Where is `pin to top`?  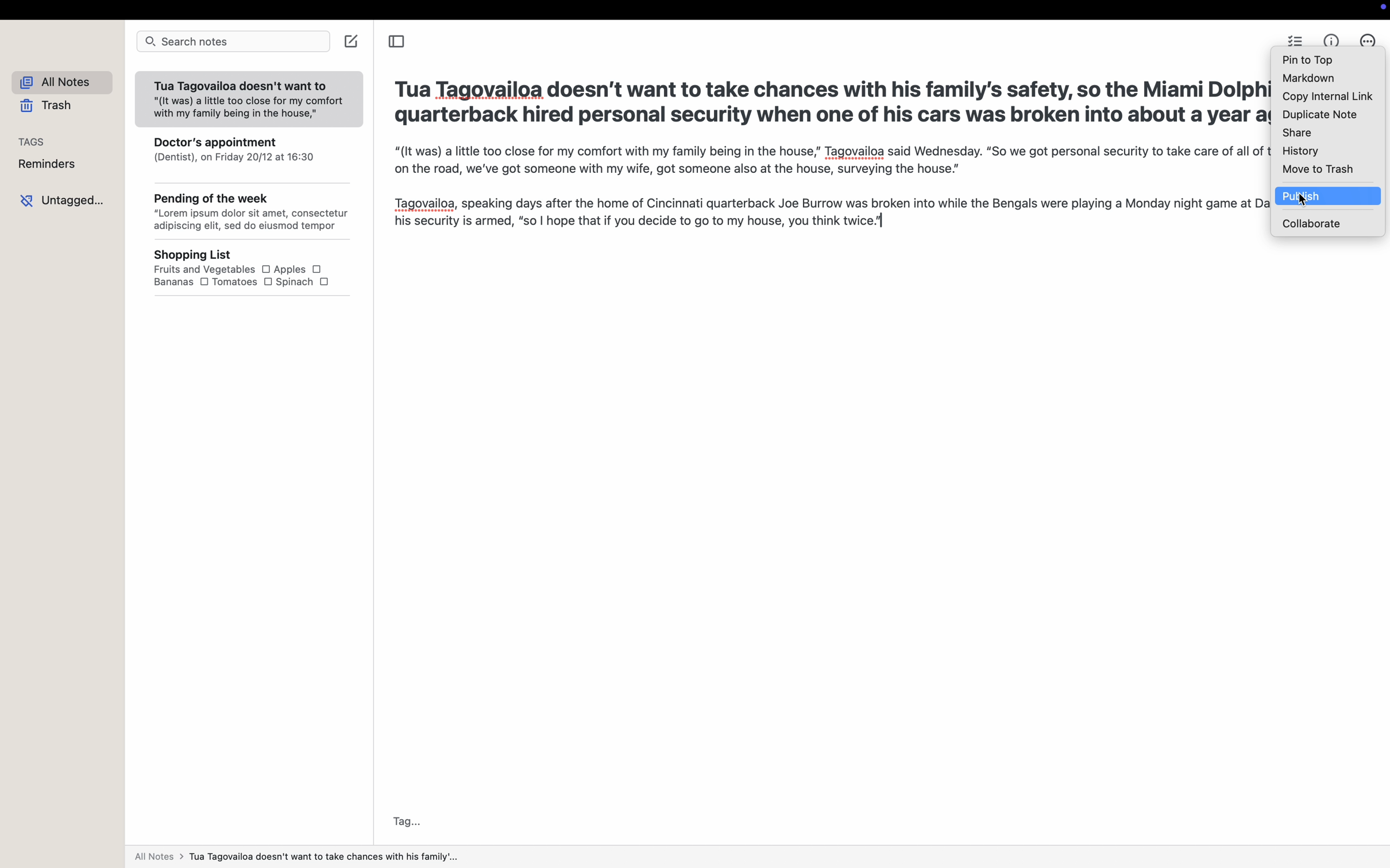
pin to top is located at coordinates (1311, 60).